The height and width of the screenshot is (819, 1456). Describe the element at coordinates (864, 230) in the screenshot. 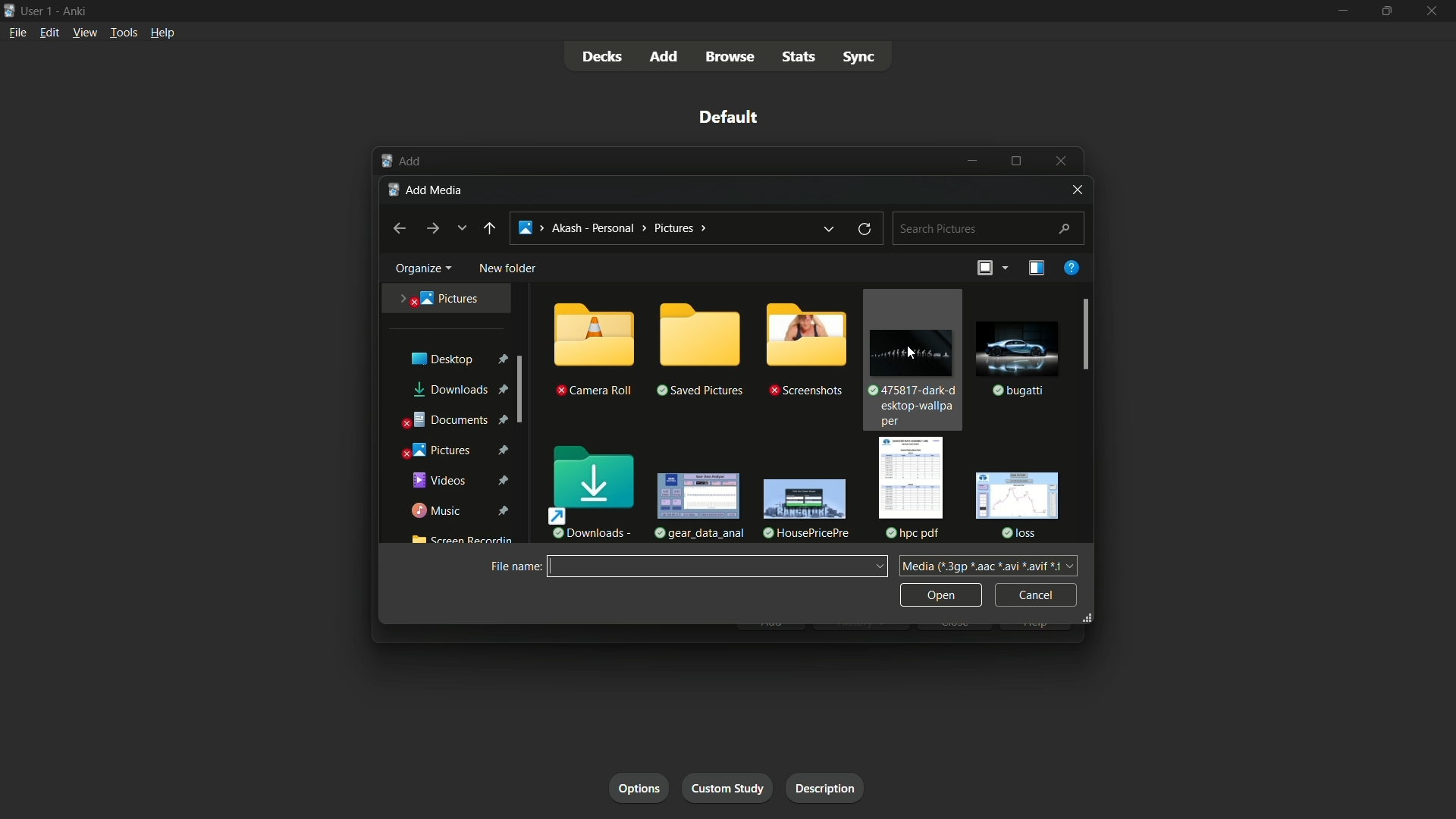

I see `refresh` at that location.